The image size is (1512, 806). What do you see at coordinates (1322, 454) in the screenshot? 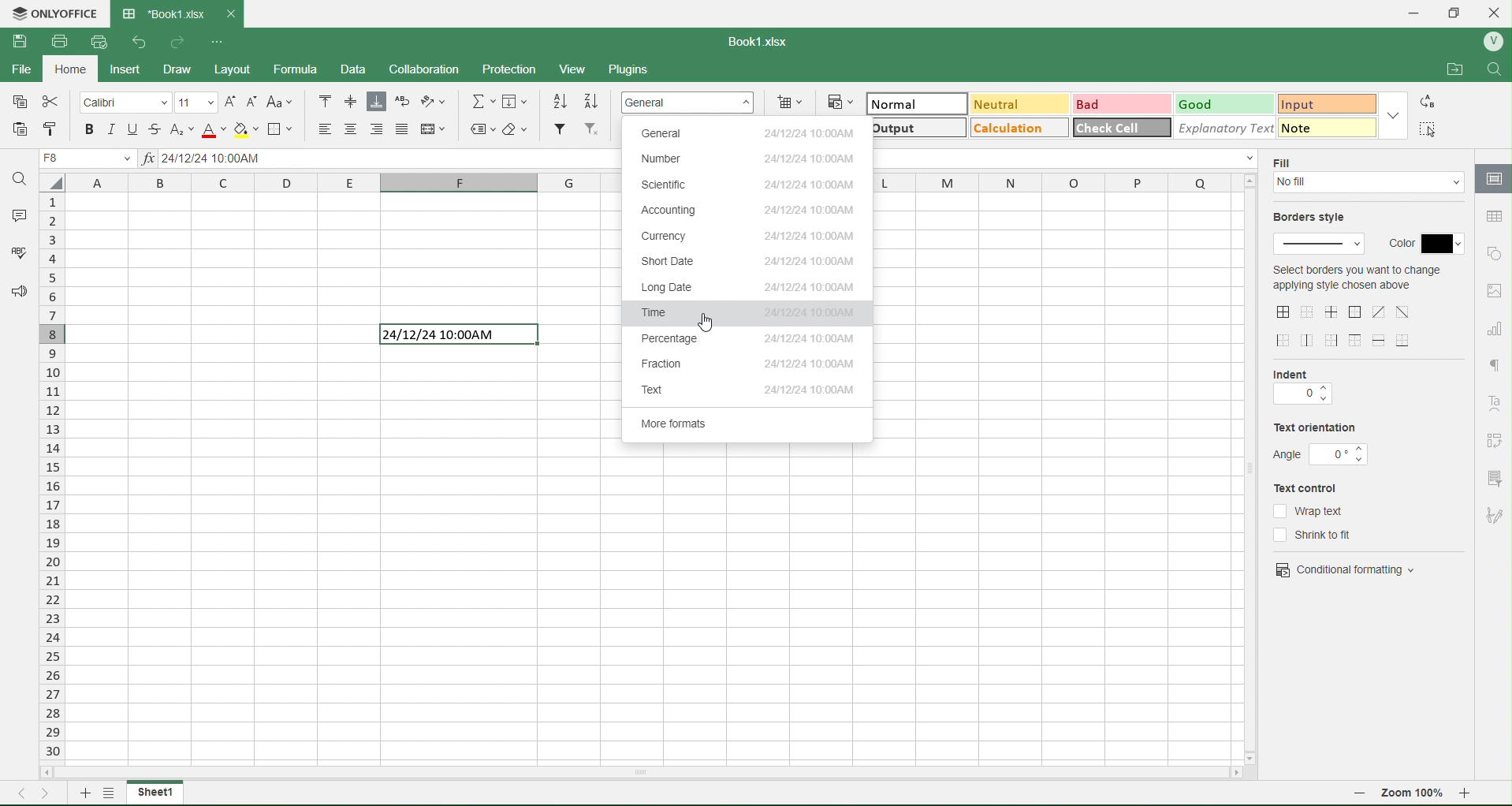
I see `angle` at bounding box center [1322, 454].